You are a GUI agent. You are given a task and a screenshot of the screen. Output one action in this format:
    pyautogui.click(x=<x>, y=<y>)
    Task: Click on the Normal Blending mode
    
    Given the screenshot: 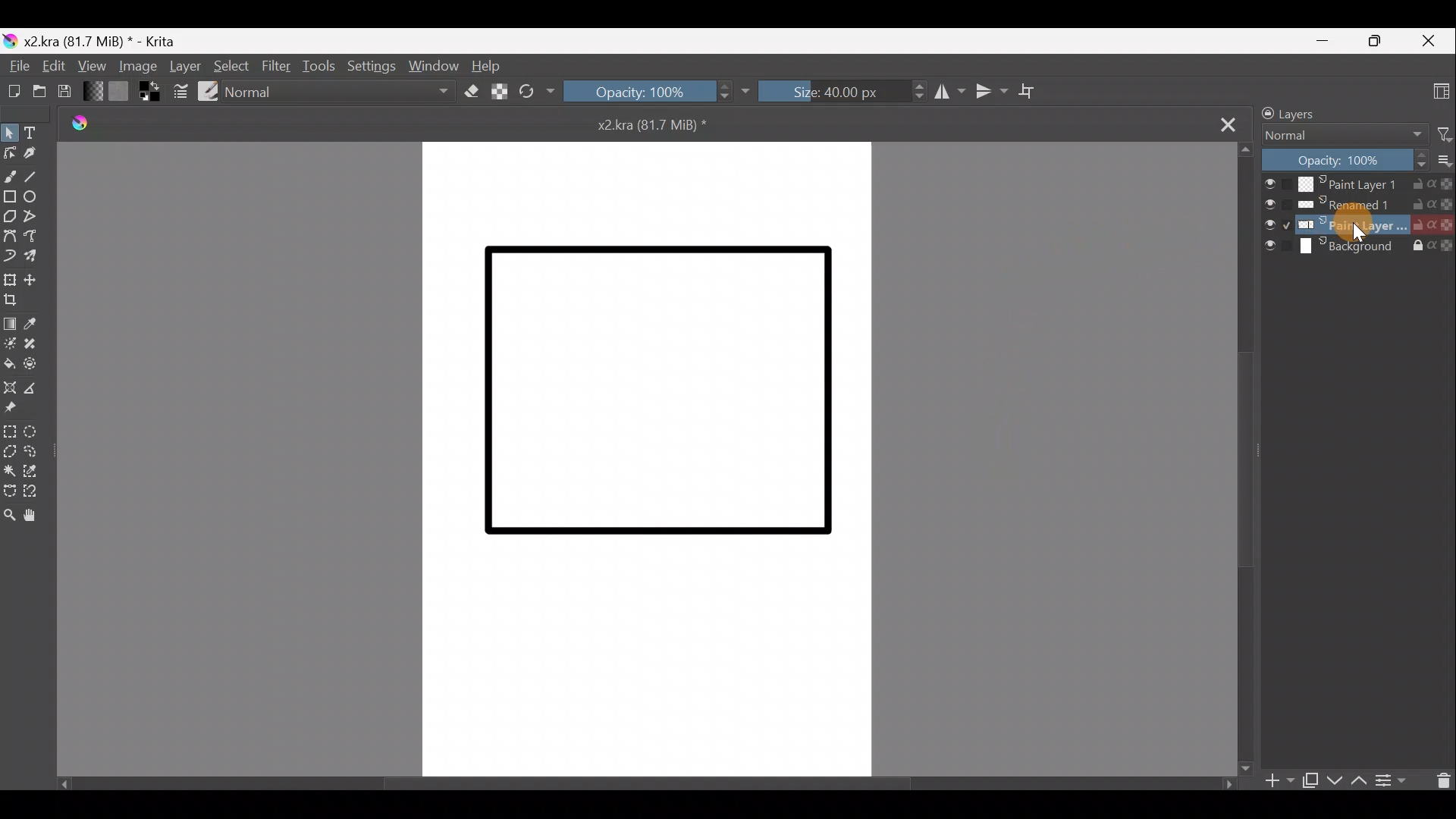 What is the action you would take?
    pyautogui.click(x=343, y=93)
    